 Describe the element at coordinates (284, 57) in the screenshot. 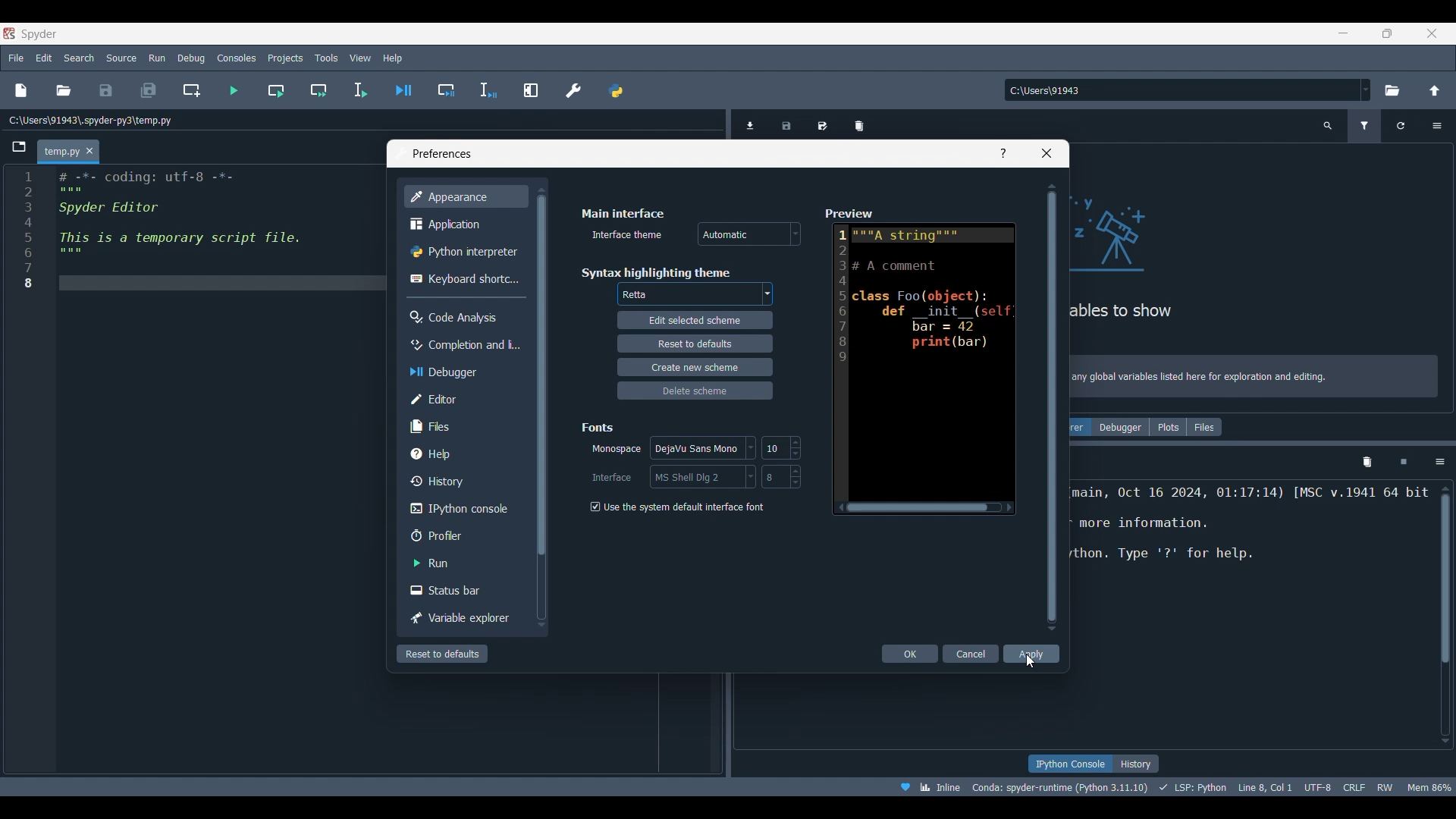

I see `Projects menu` at that location.